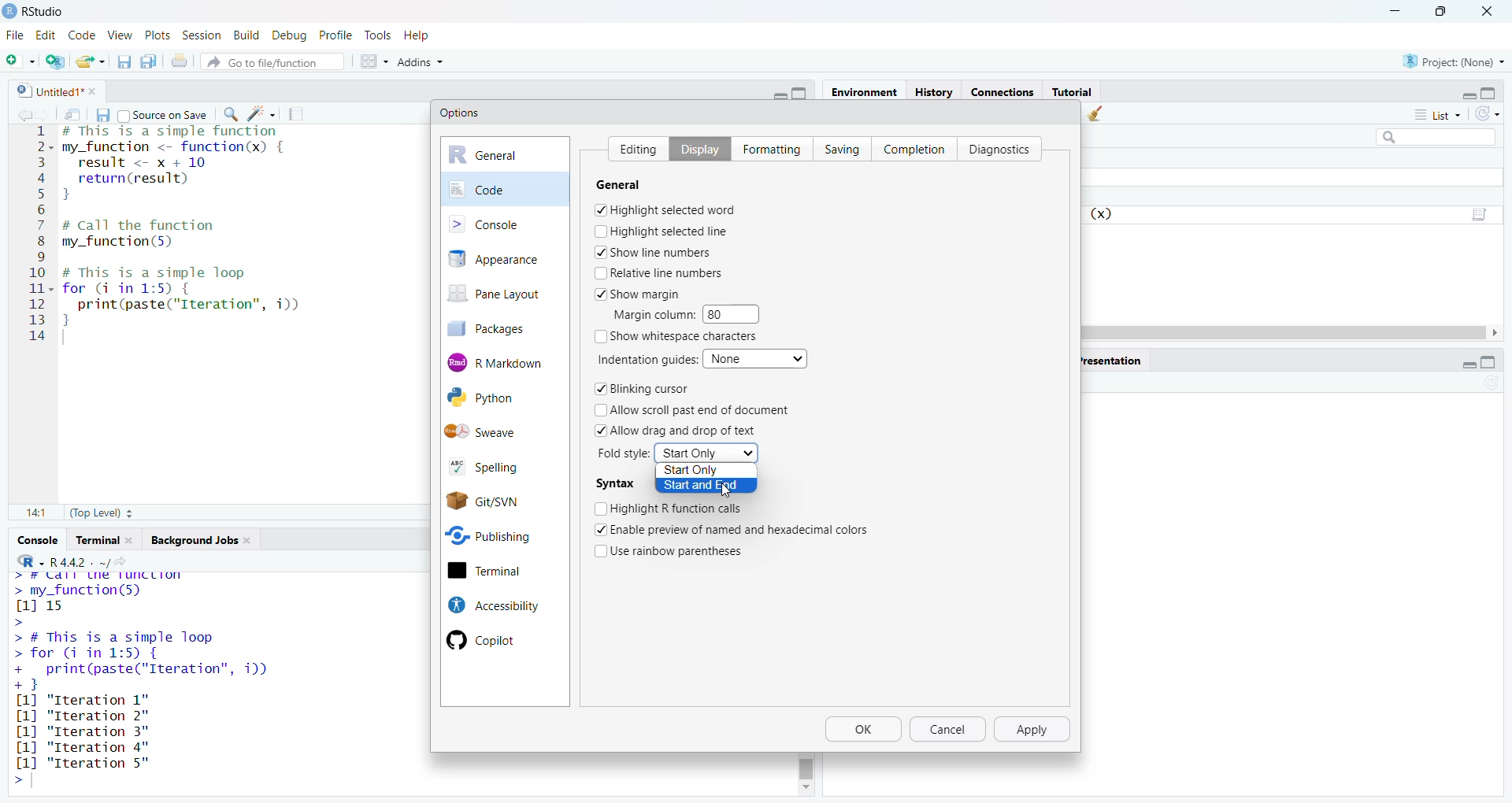 The width and height of the screenshot is (1512, 803). What do you see at coordinates (102, 113) in the screenshot?
I see `save current document` at bounding box center [102, 113].